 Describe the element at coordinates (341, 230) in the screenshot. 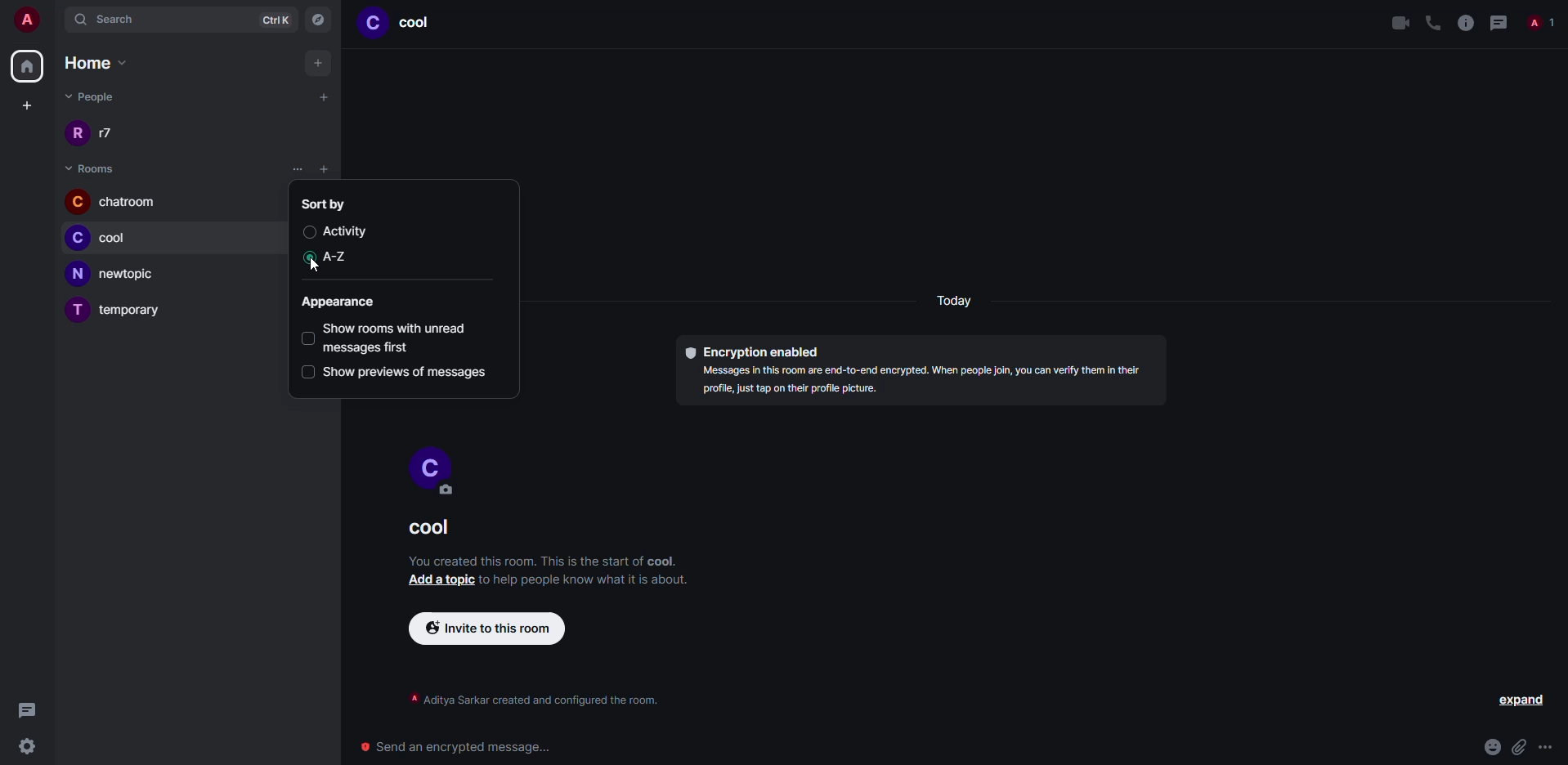

I see `activity` at that location.